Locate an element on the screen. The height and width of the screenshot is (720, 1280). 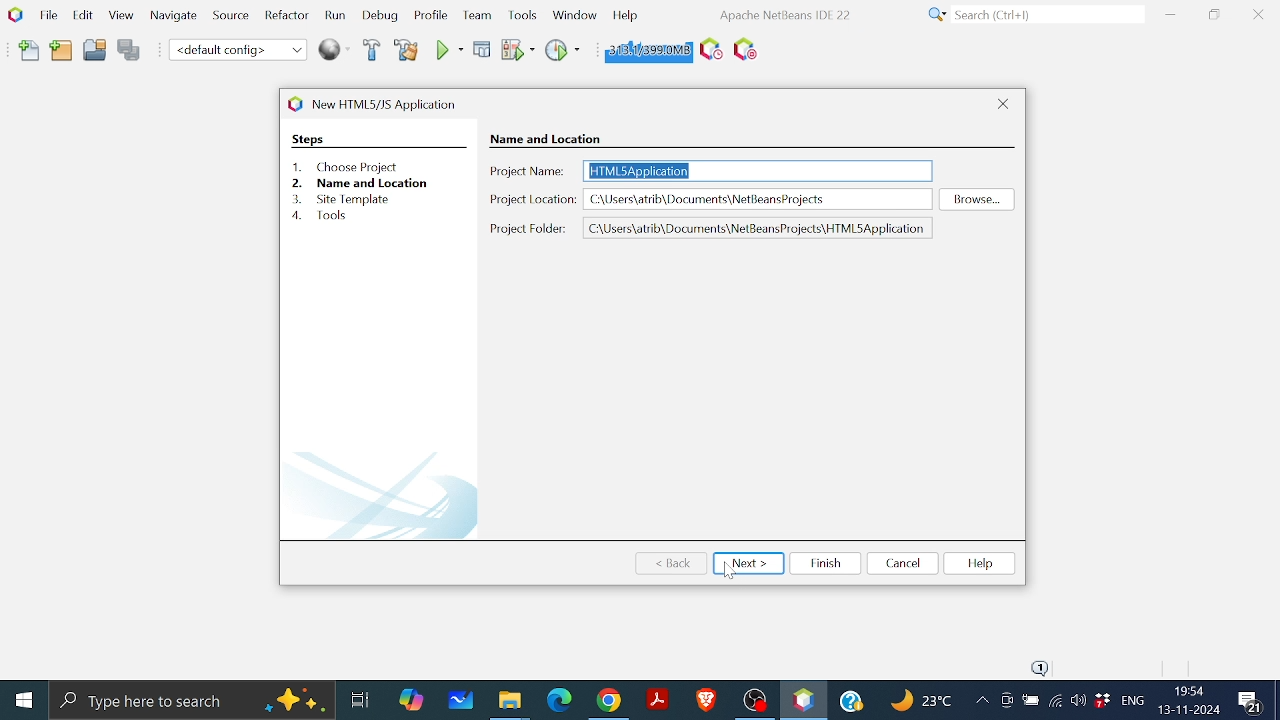
Project folder is located at coordinates (759, 228).